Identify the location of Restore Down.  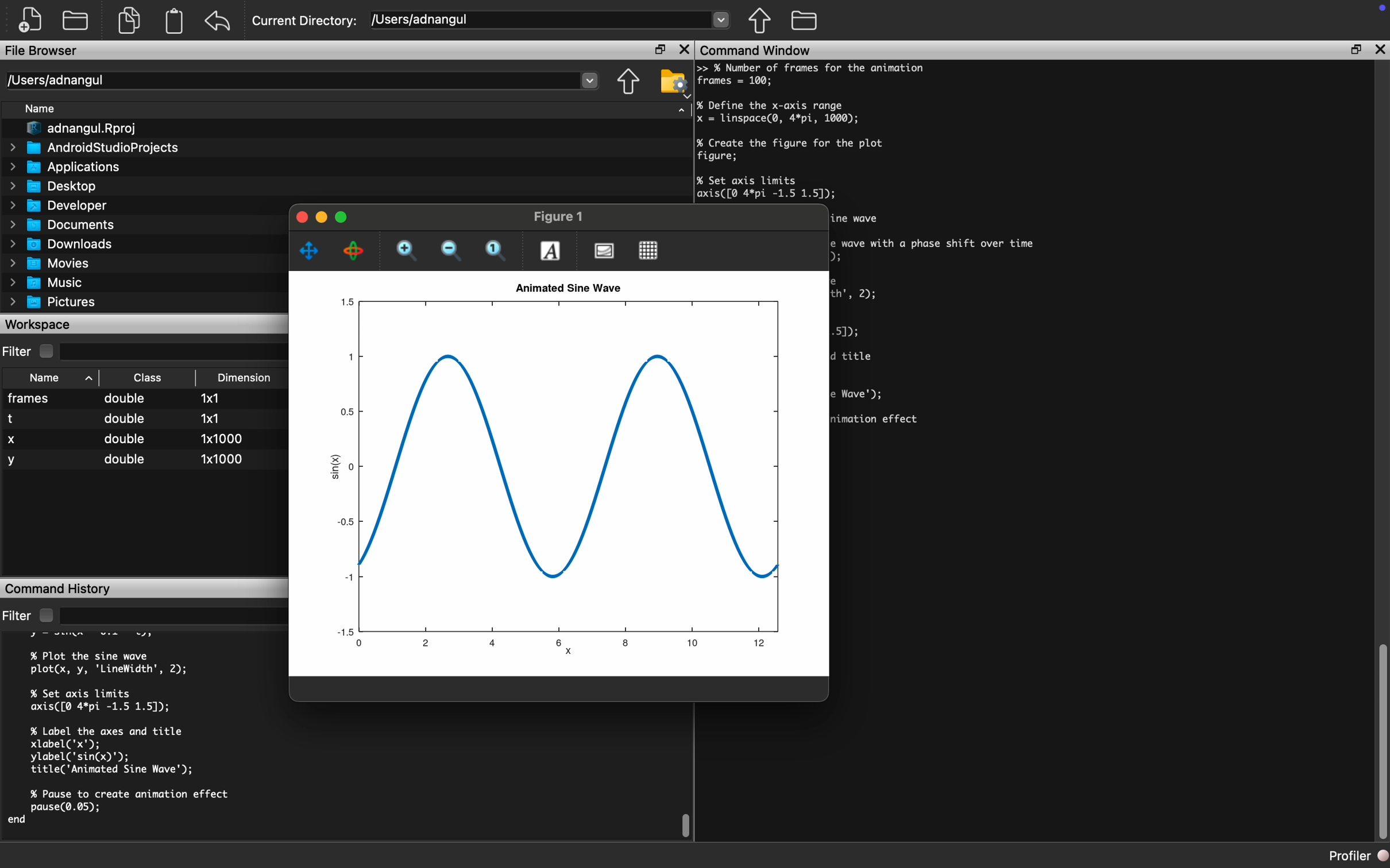
(321, 217).